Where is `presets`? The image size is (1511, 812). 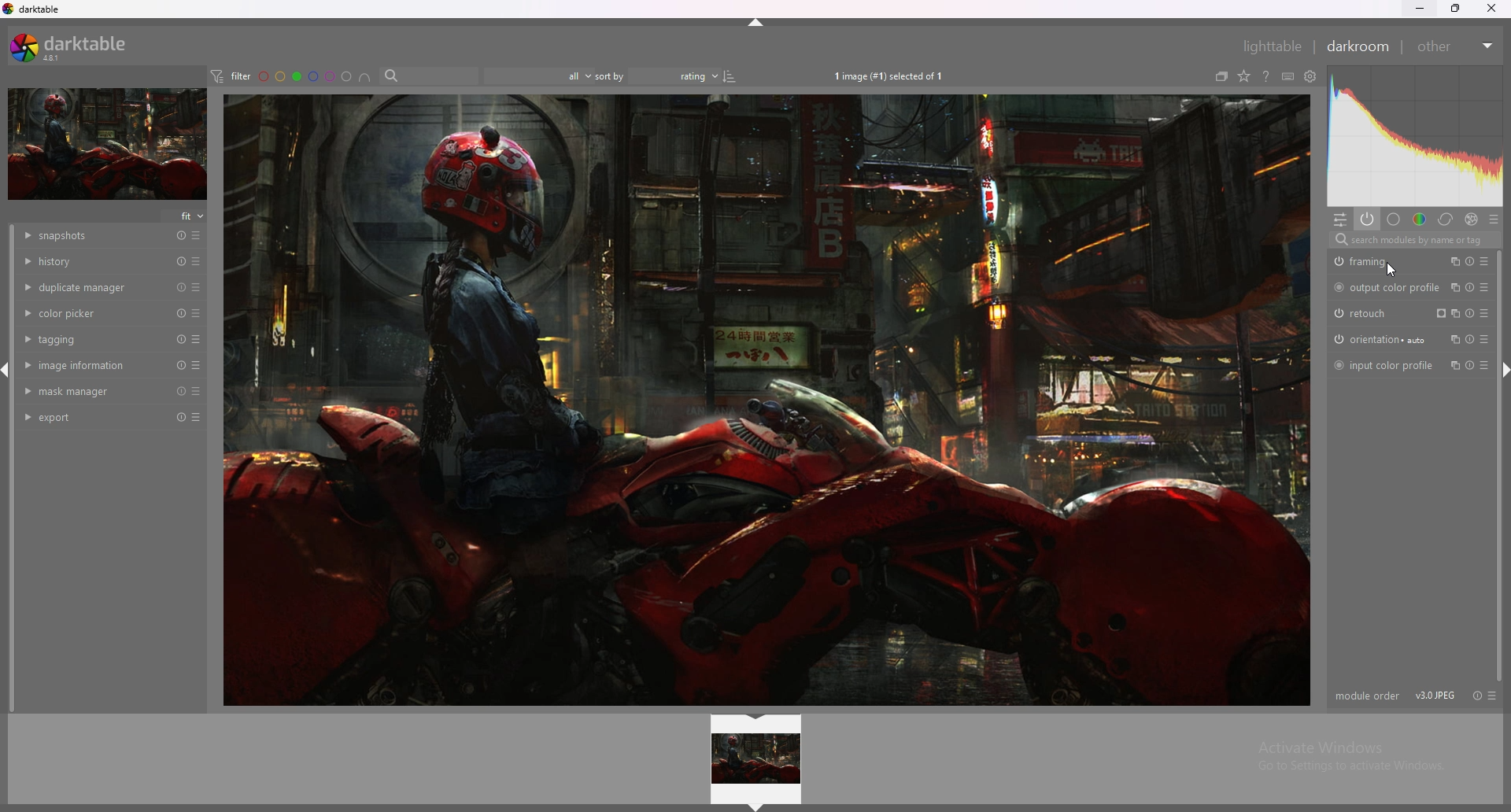
presets is located at coordinates (197, 287).